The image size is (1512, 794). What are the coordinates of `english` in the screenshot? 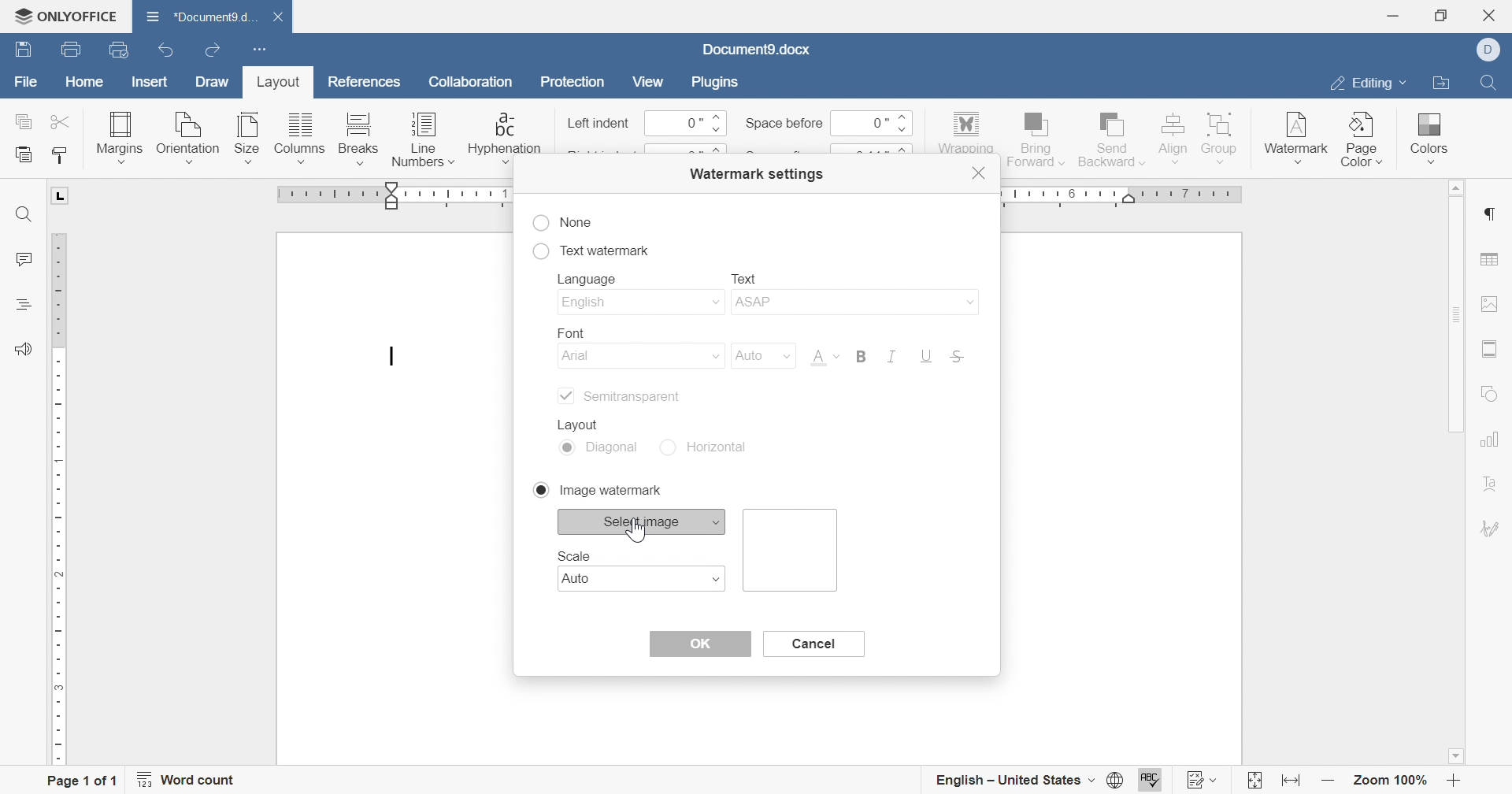 It's located at (639, 303).